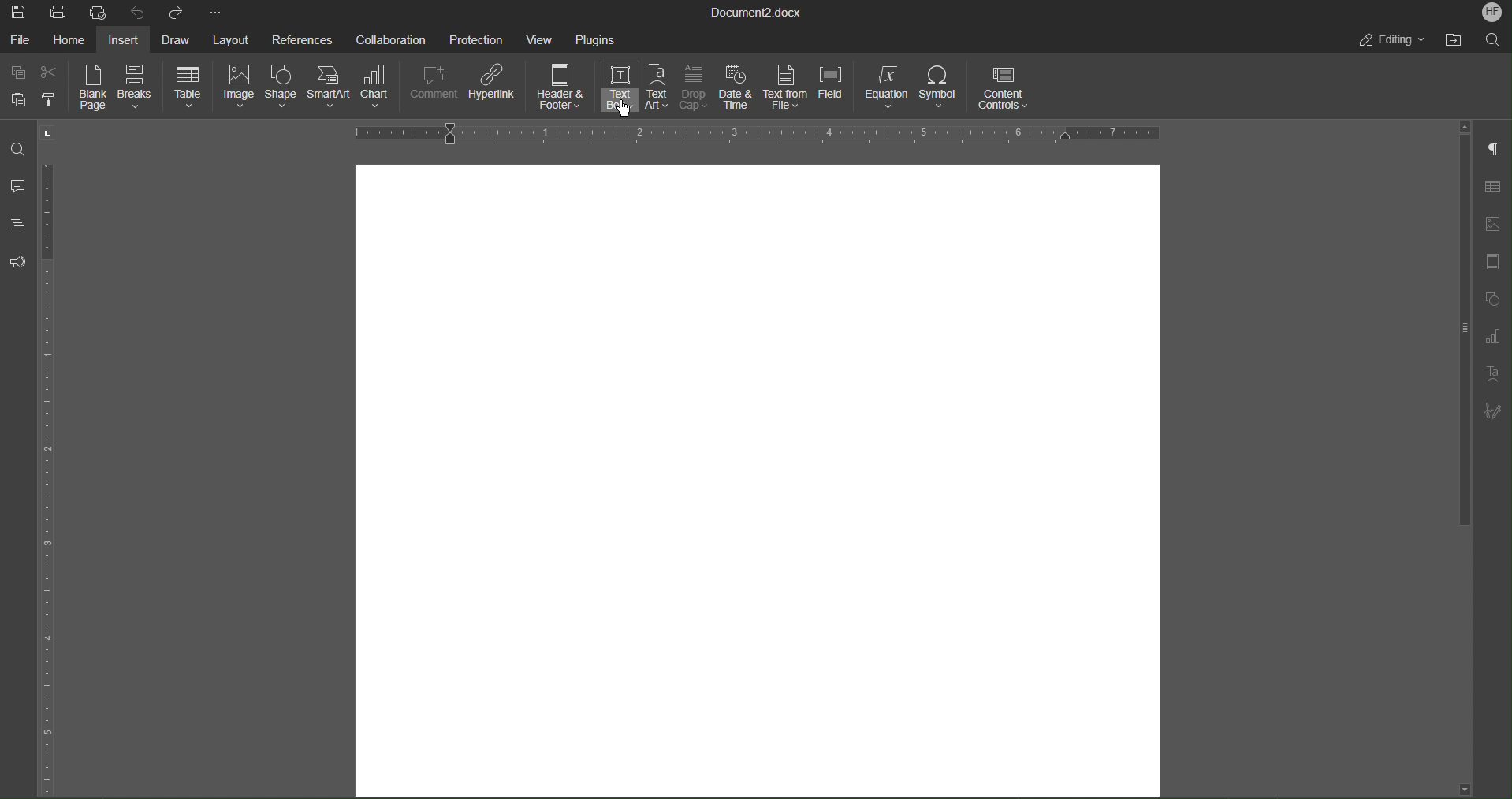  Describe the element at coordinates (50, 474) in the screenshot. I see `Vertical Ruler` at that location.